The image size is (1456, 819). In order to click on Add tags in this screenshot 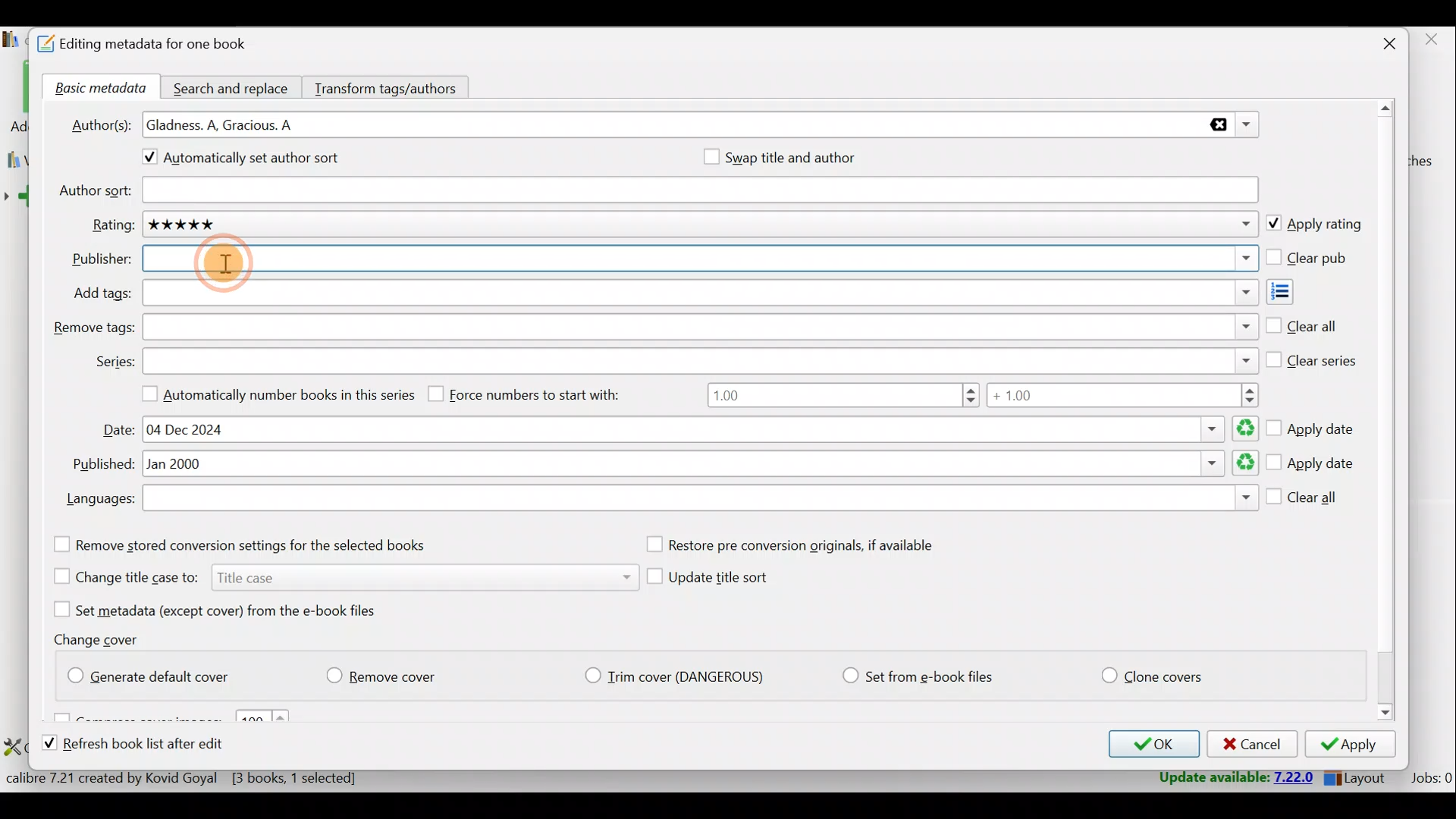, I will do `click(1294, 292)`.